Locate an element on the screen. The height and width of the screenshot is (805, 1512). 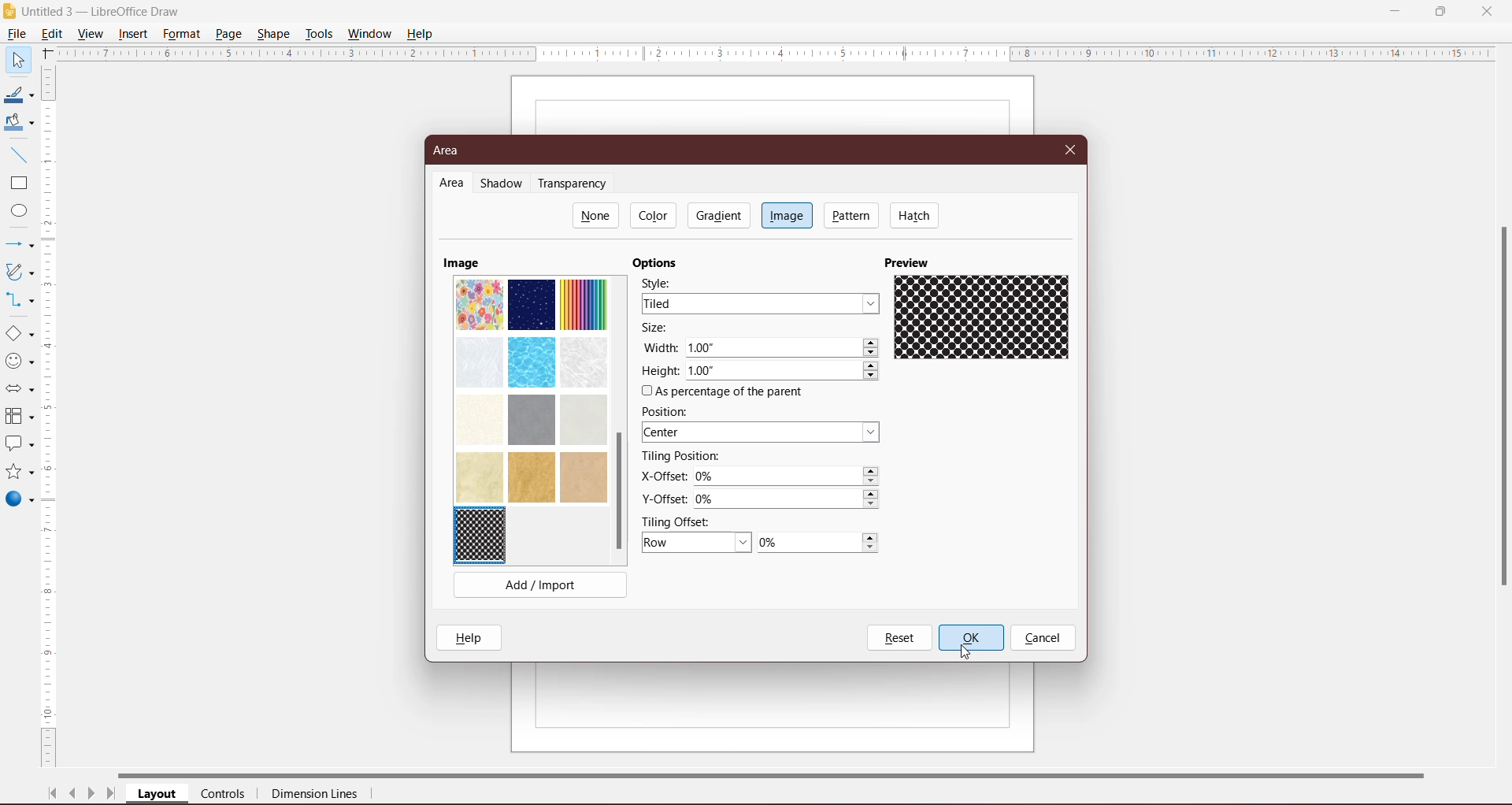
OK is located at coordinates (970, 638).